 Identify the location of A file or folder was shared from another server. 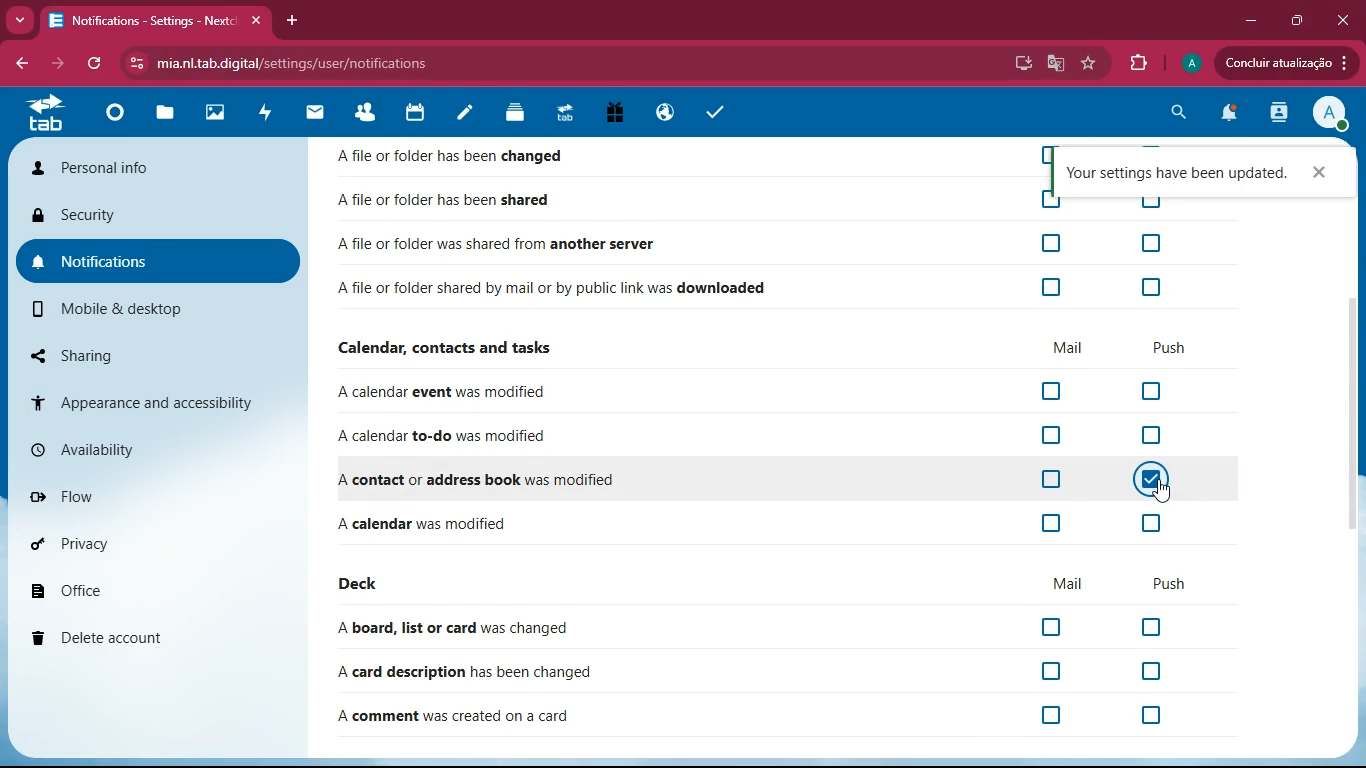
(497, 245).